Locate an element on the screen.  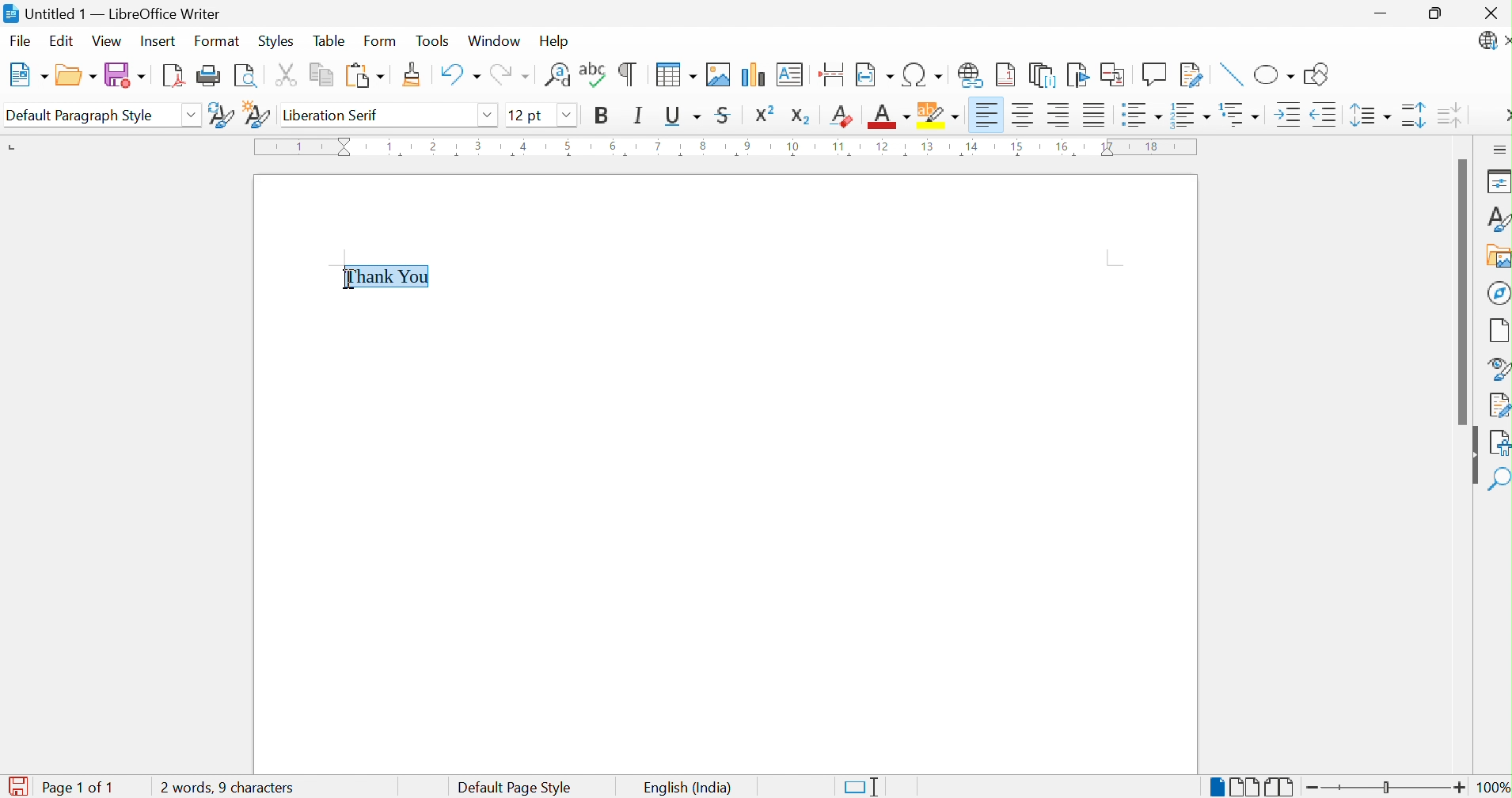
Table is located at coordinates (332, 41).